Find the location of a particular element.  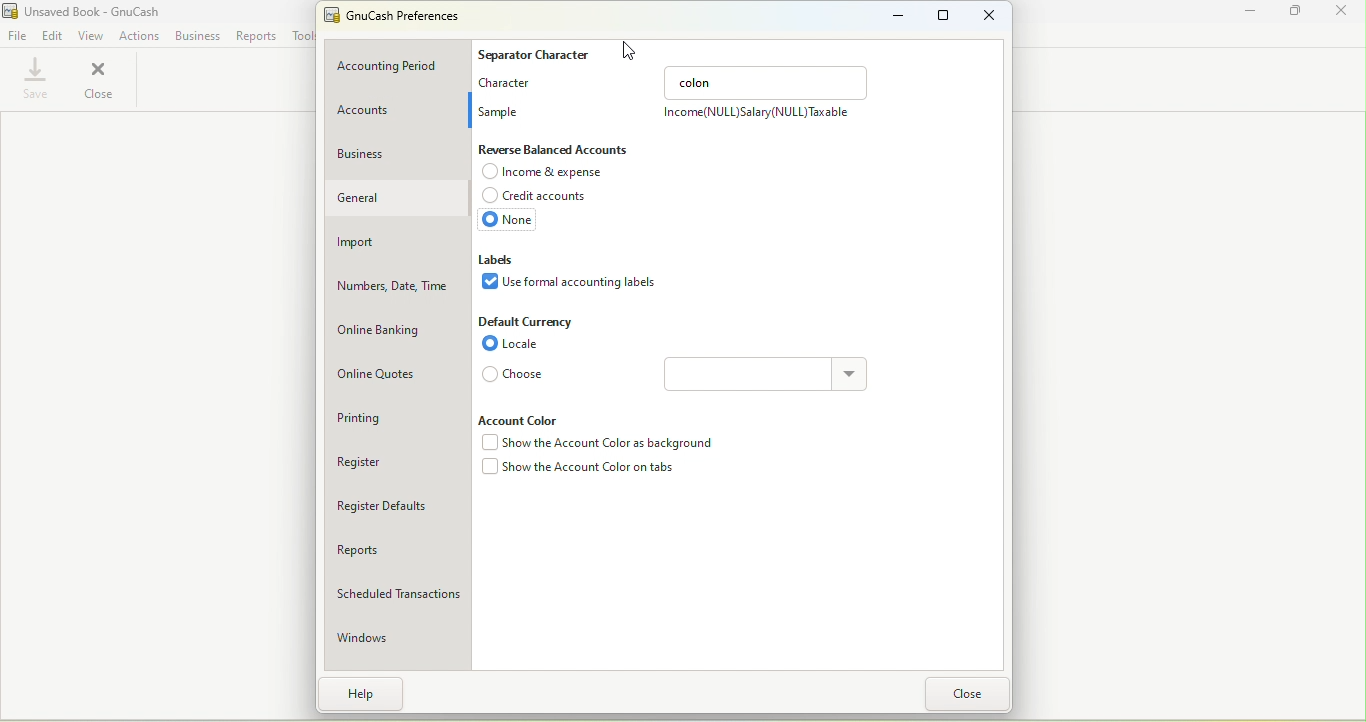

Sample is located at coordinates (502, 109).